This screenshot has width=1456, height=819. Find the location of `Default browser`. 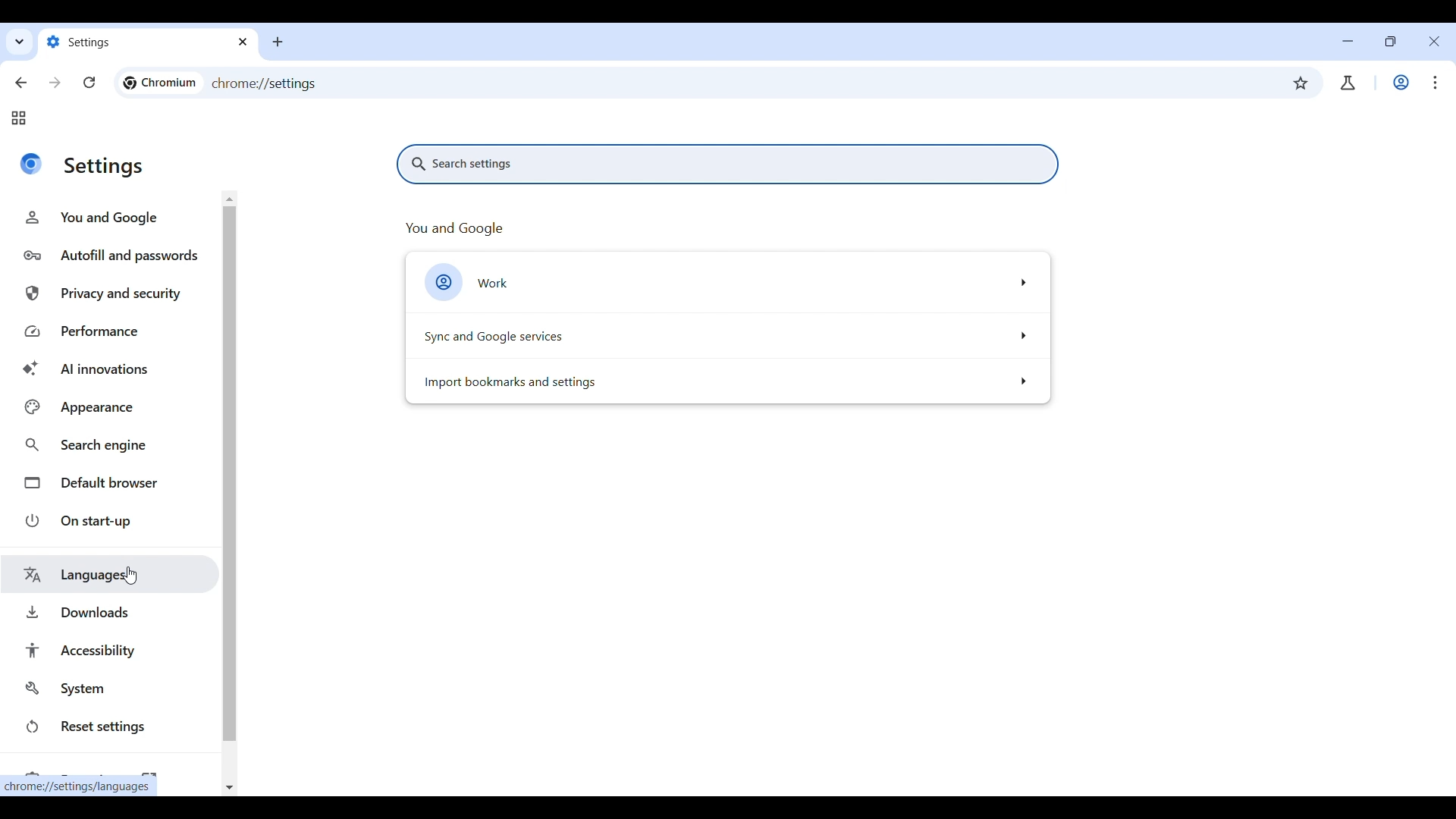

Default browser is located at coordinates (113, 482).